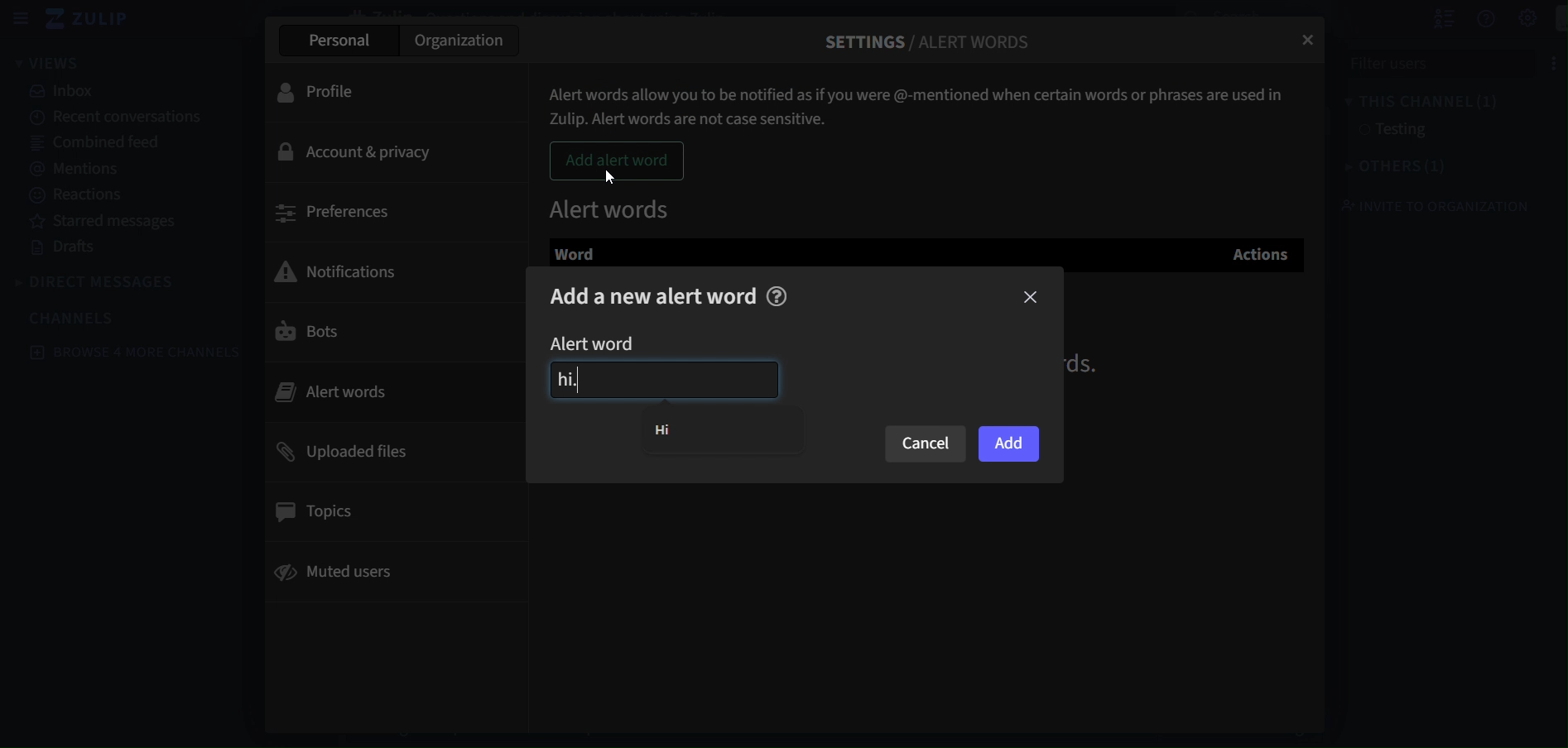 This screenshot has height=748, width=1568. What do you see at coordinates (81, 170) in the screenshot?
I see `mentions` at bounding box center [81, 170].